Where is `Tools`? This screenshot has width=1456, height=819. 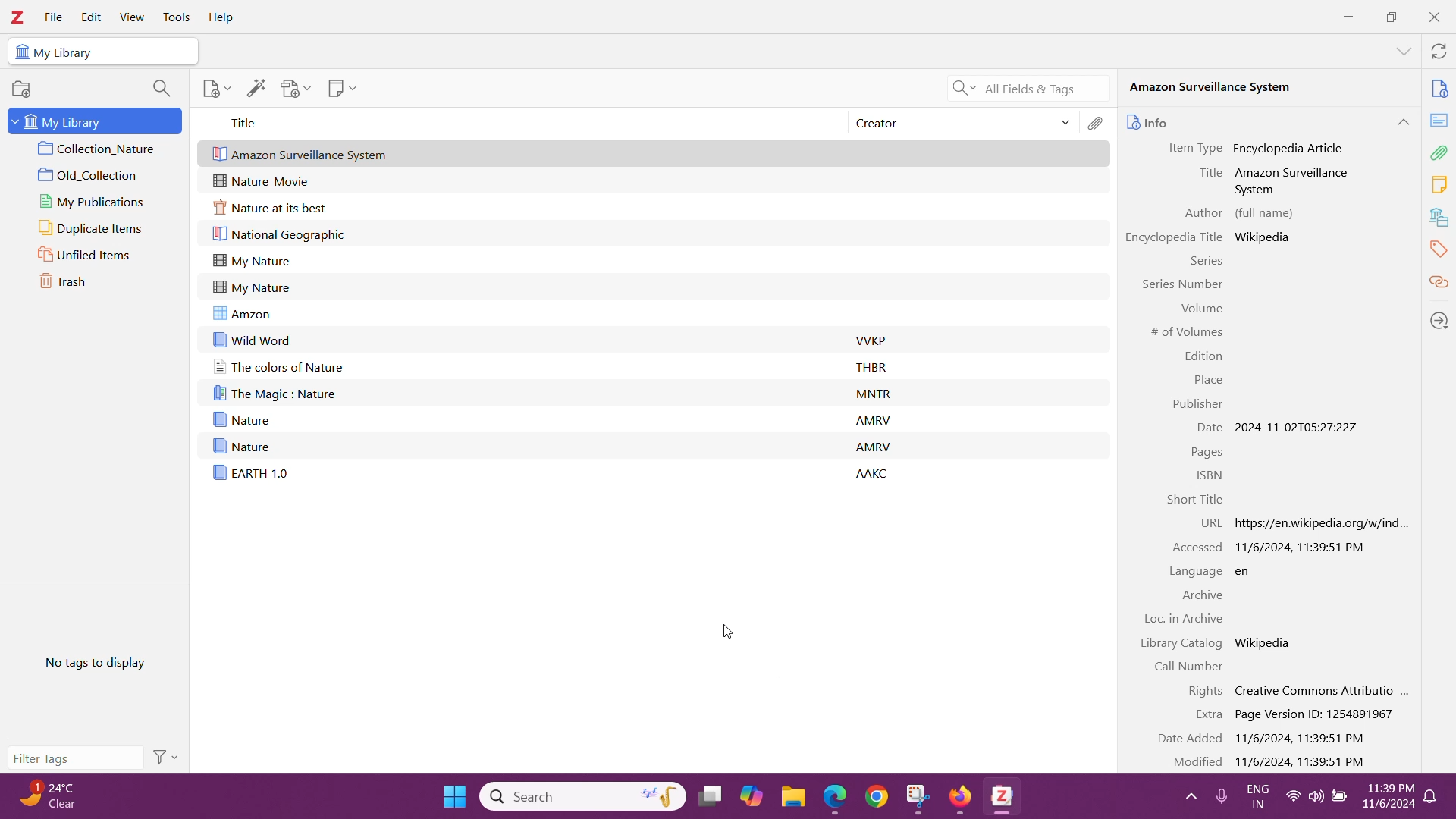 Tools is located at coordinates (177, 17).